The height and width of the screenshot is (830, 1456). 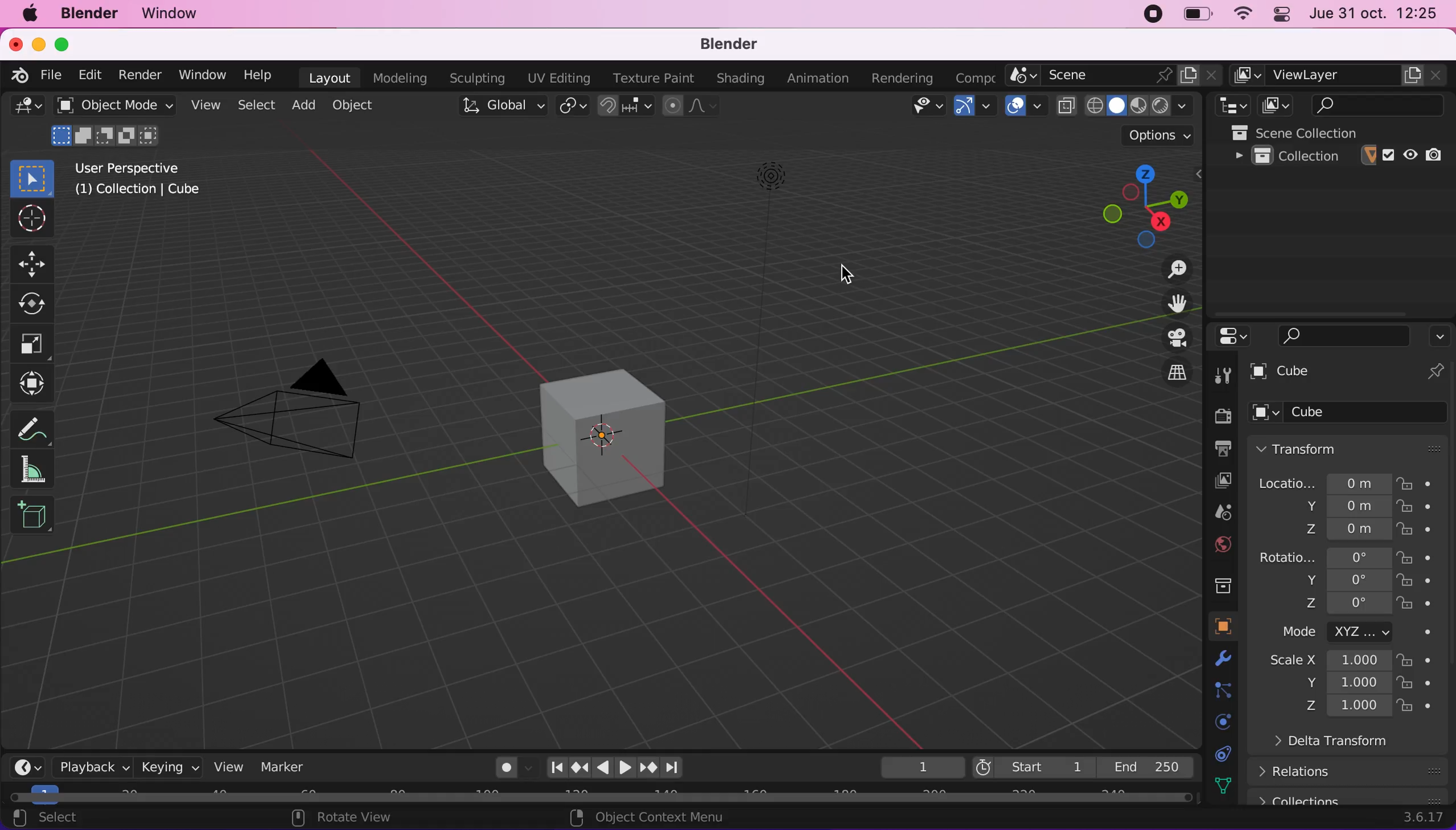 What do you see at coordinates (168, 765) in the screenshot?
I see `keying` at bounding box center [168, 765].